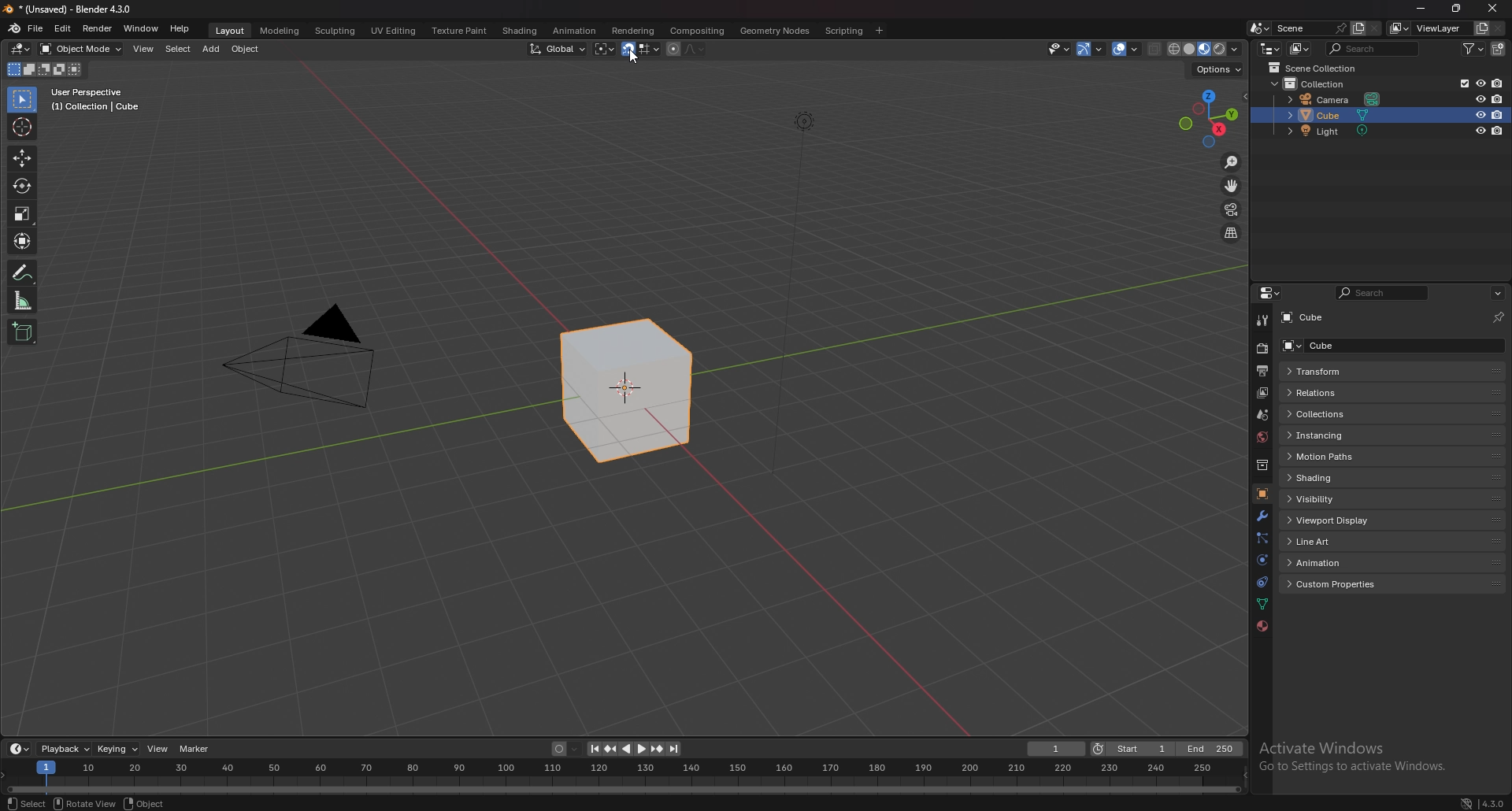 The image size is (1512, 811). What do you see at coordinates (1231, 232) in the screenshot?
I see `perspective/orthographic` at bounding box center [1231, 232].